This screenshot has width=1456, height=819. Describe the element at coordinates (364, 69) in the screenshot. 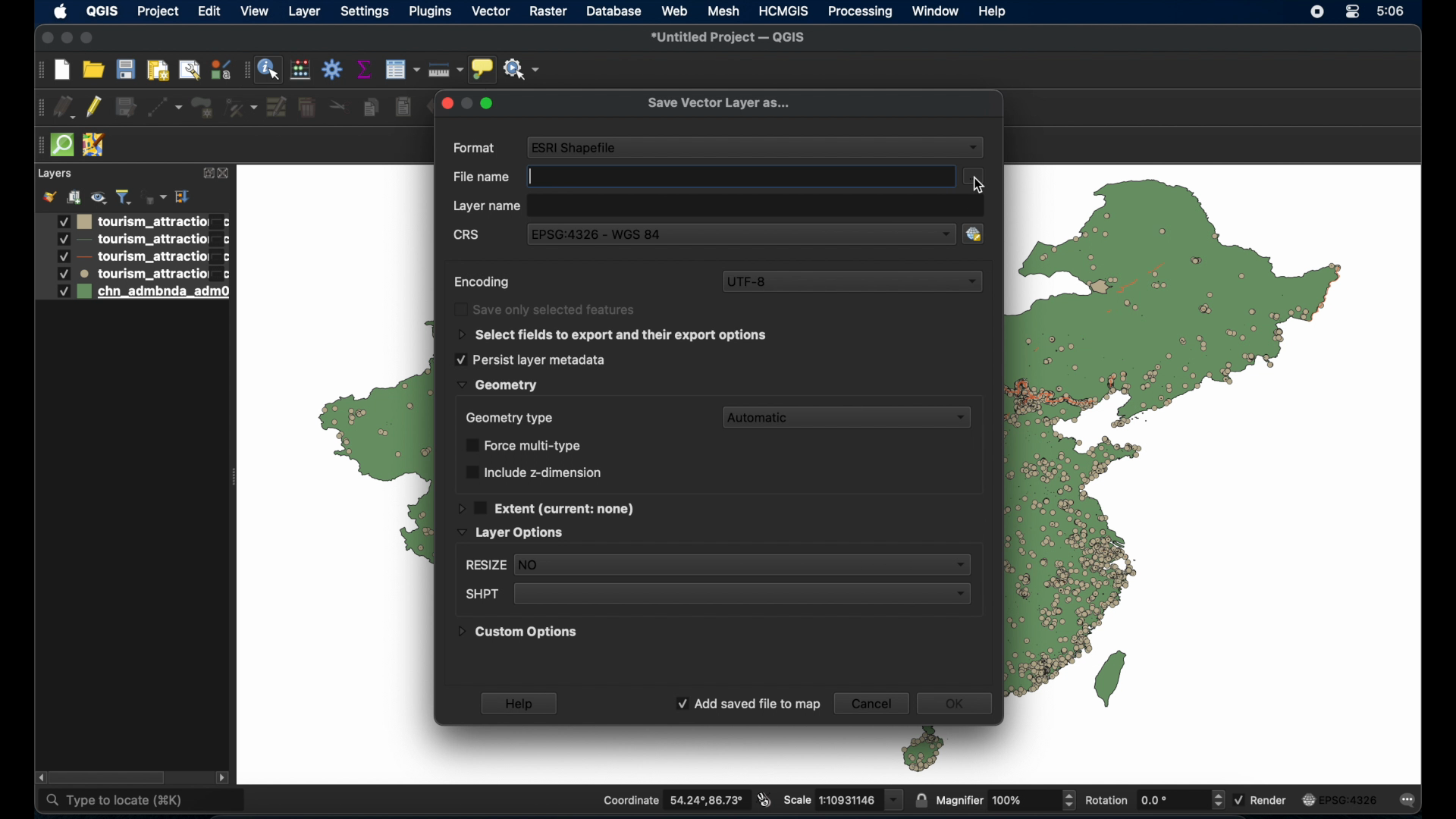

I see `show staistical summary` at that location.